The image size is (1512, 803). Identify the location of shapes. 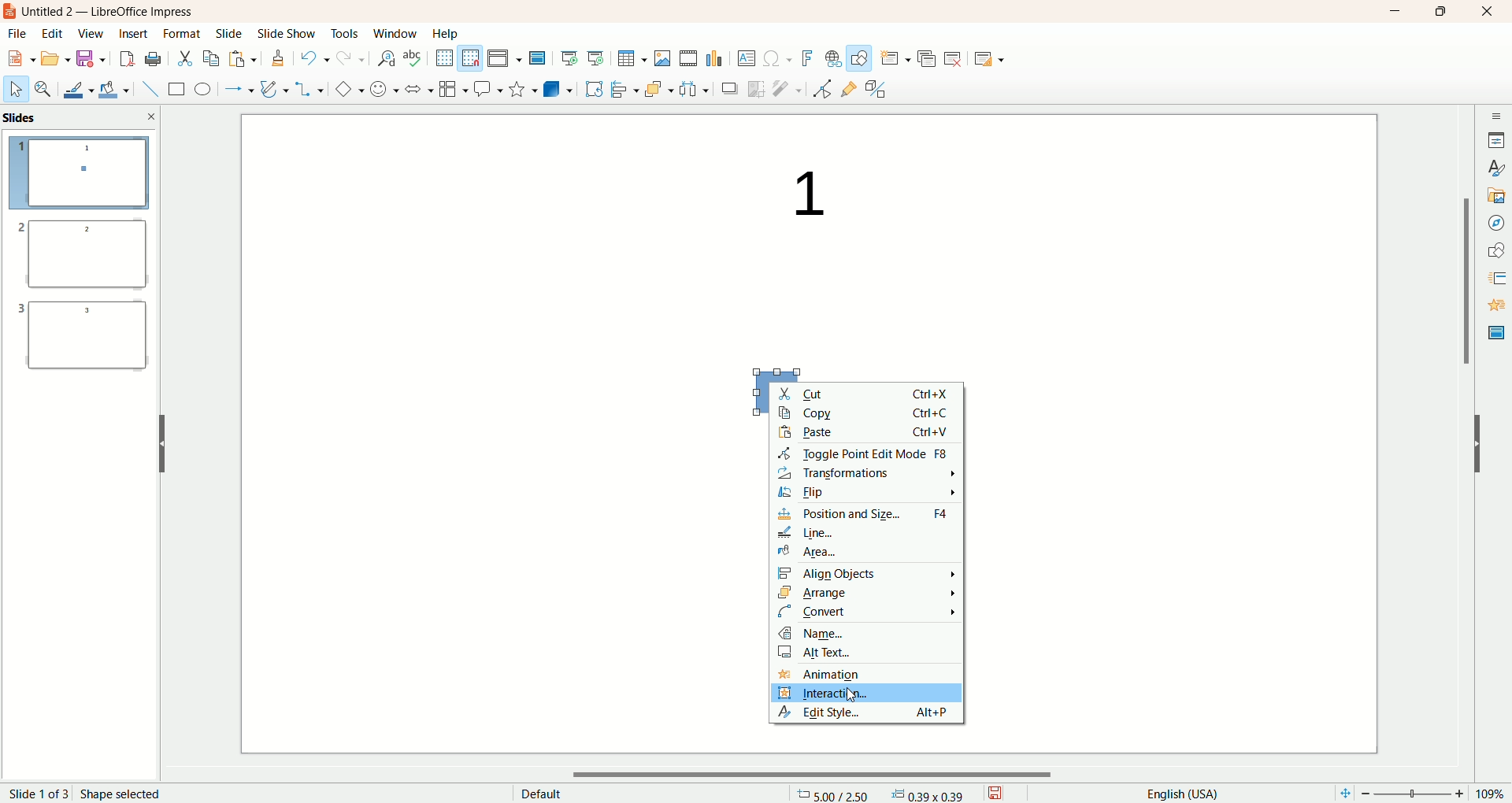
(1496, 248).